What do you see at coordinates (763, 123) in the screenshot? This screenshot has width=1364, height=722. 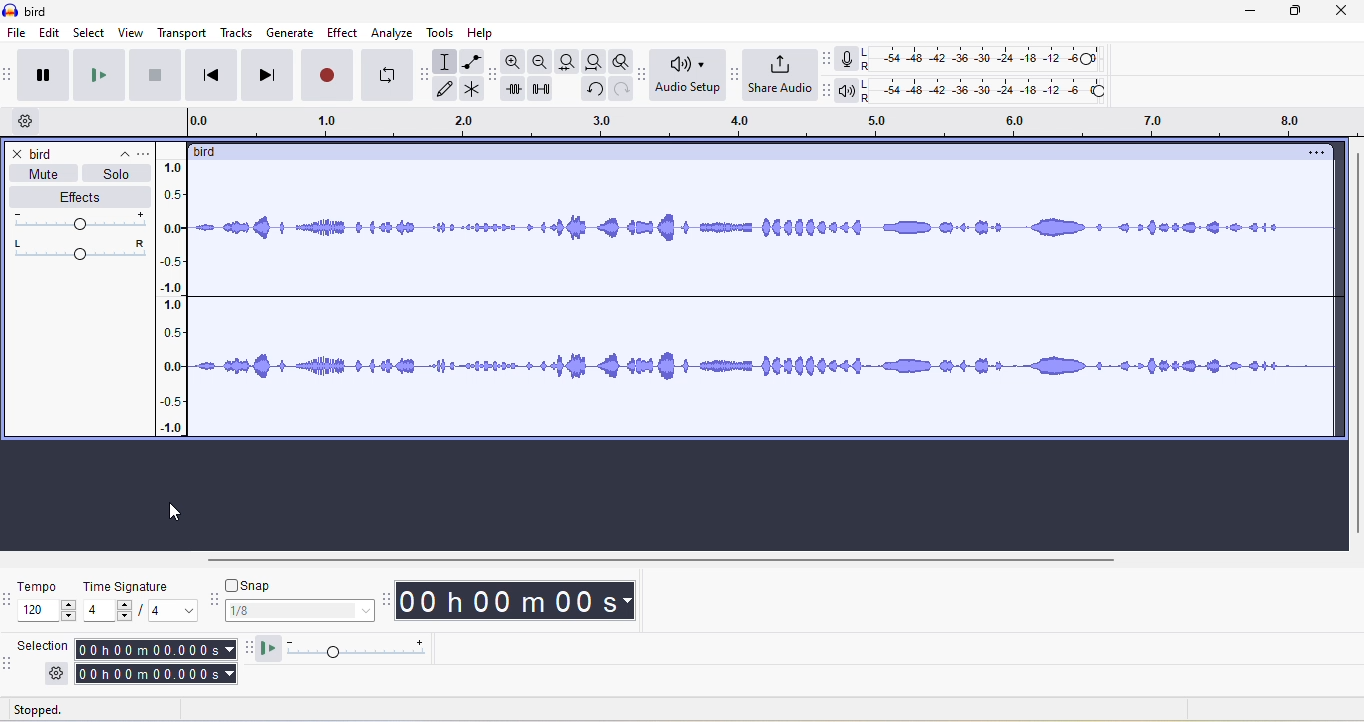 I see `click and drag to define a looping region ` at bounding box center [763, 123].